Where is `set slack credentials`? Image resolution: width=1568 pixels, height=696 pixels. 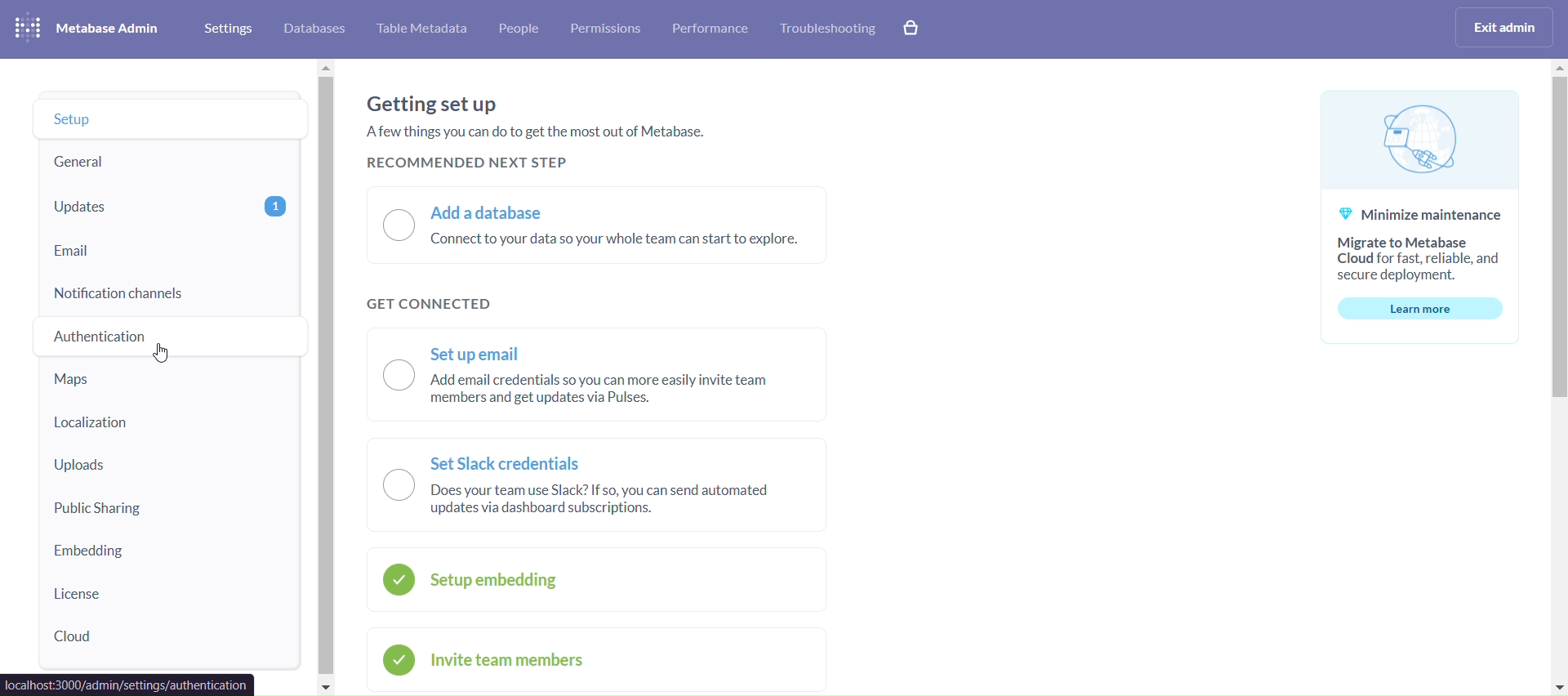 set slack credentials is located at coordinates (599, 486).